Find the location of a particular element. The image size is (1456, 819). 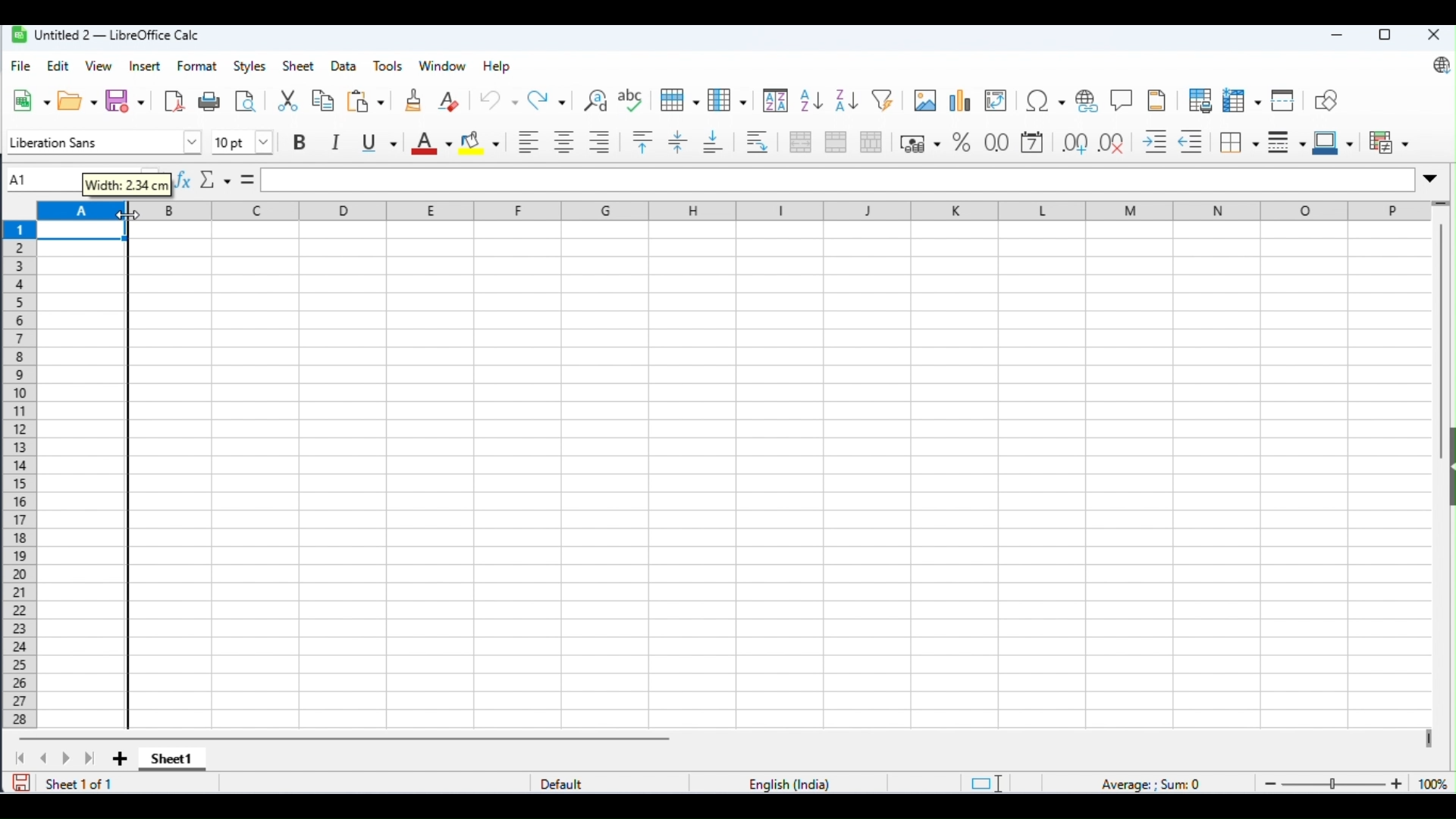

format is located at coordinates (197, 65).